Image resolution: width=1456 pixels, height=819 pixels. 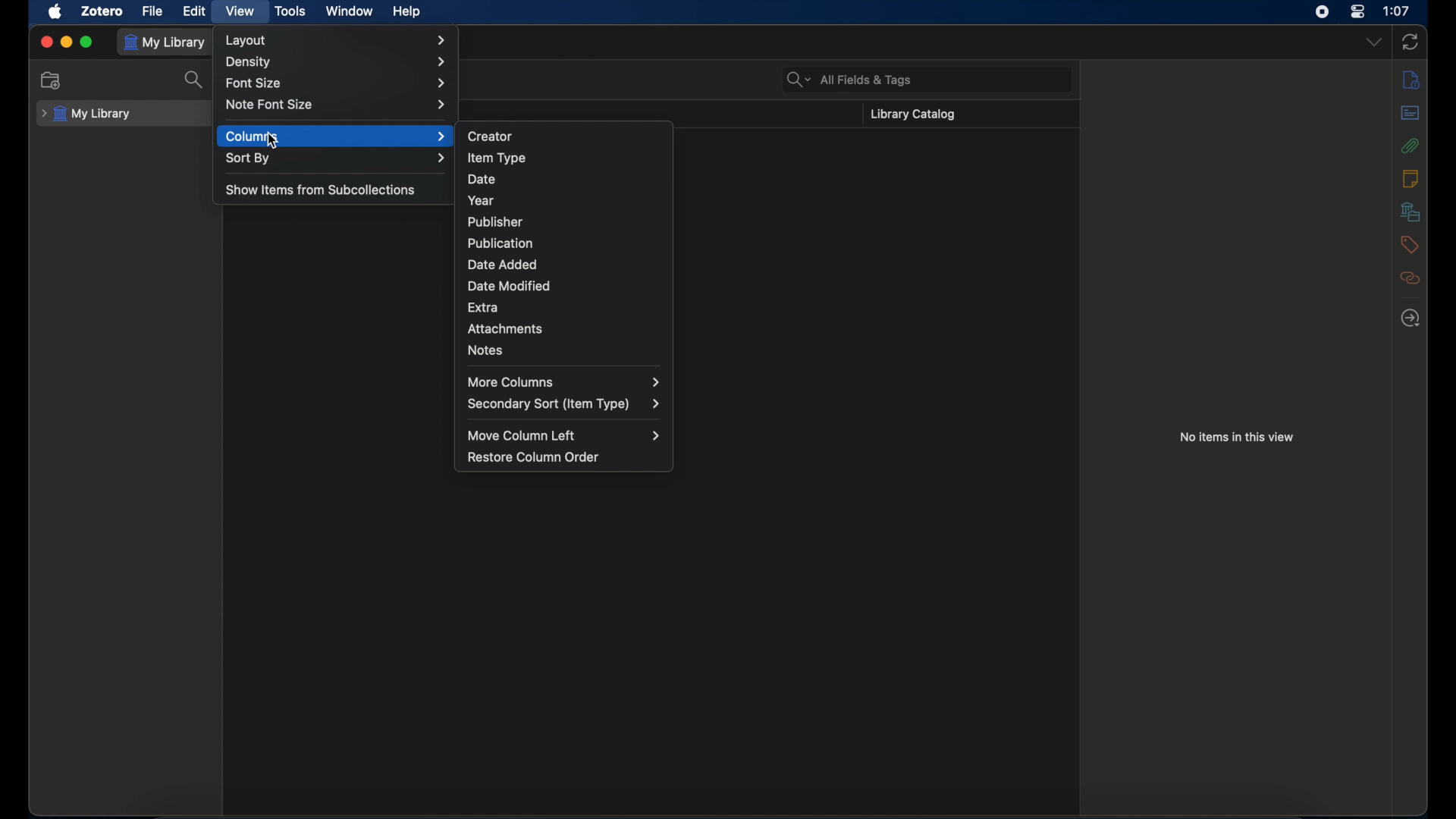 I want to click on close, so click(x=46, y=42).